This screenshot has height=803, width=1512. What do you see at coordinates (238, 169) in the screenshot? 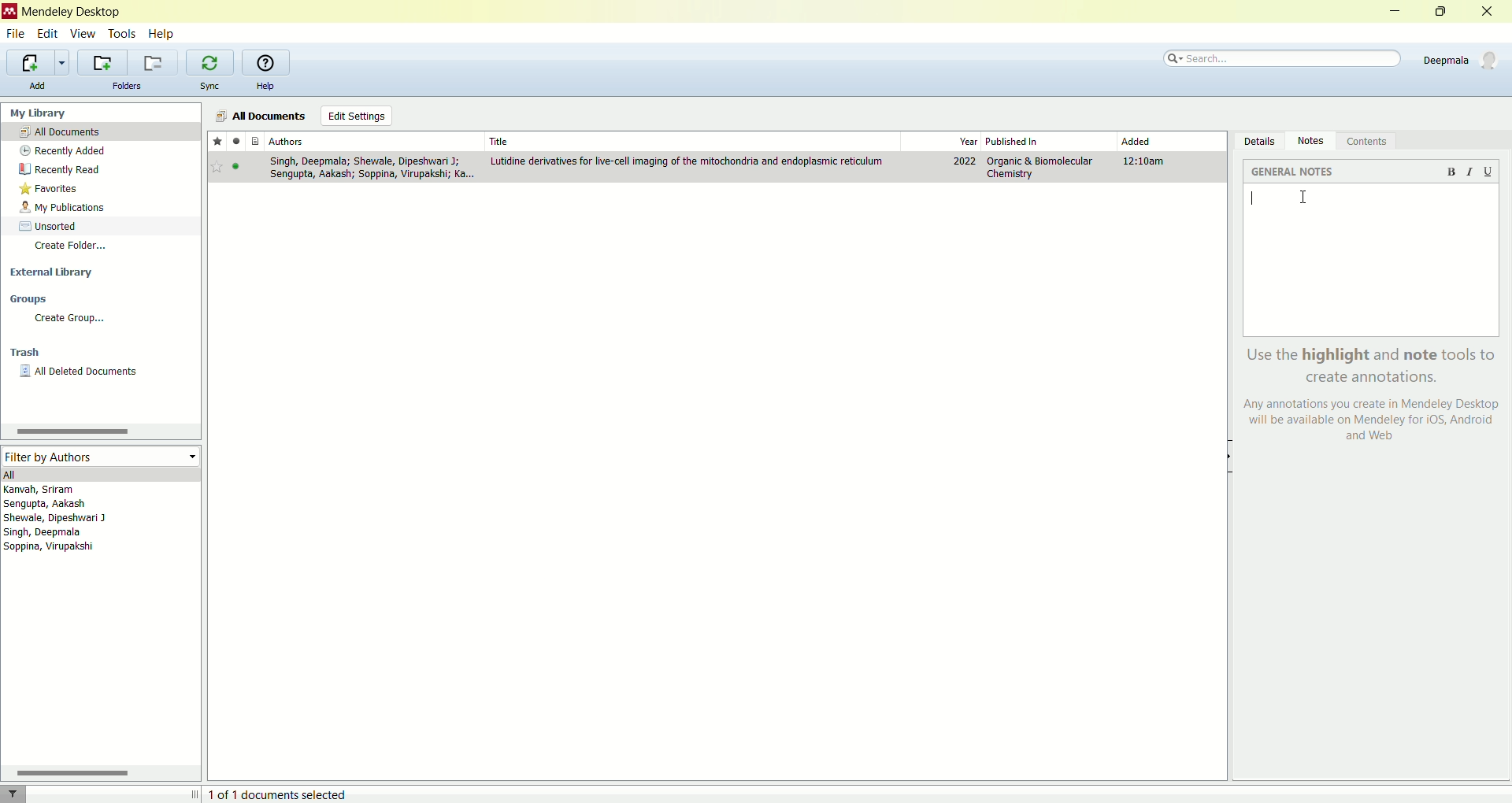
I see `Active` at bounding box center [238, 169].